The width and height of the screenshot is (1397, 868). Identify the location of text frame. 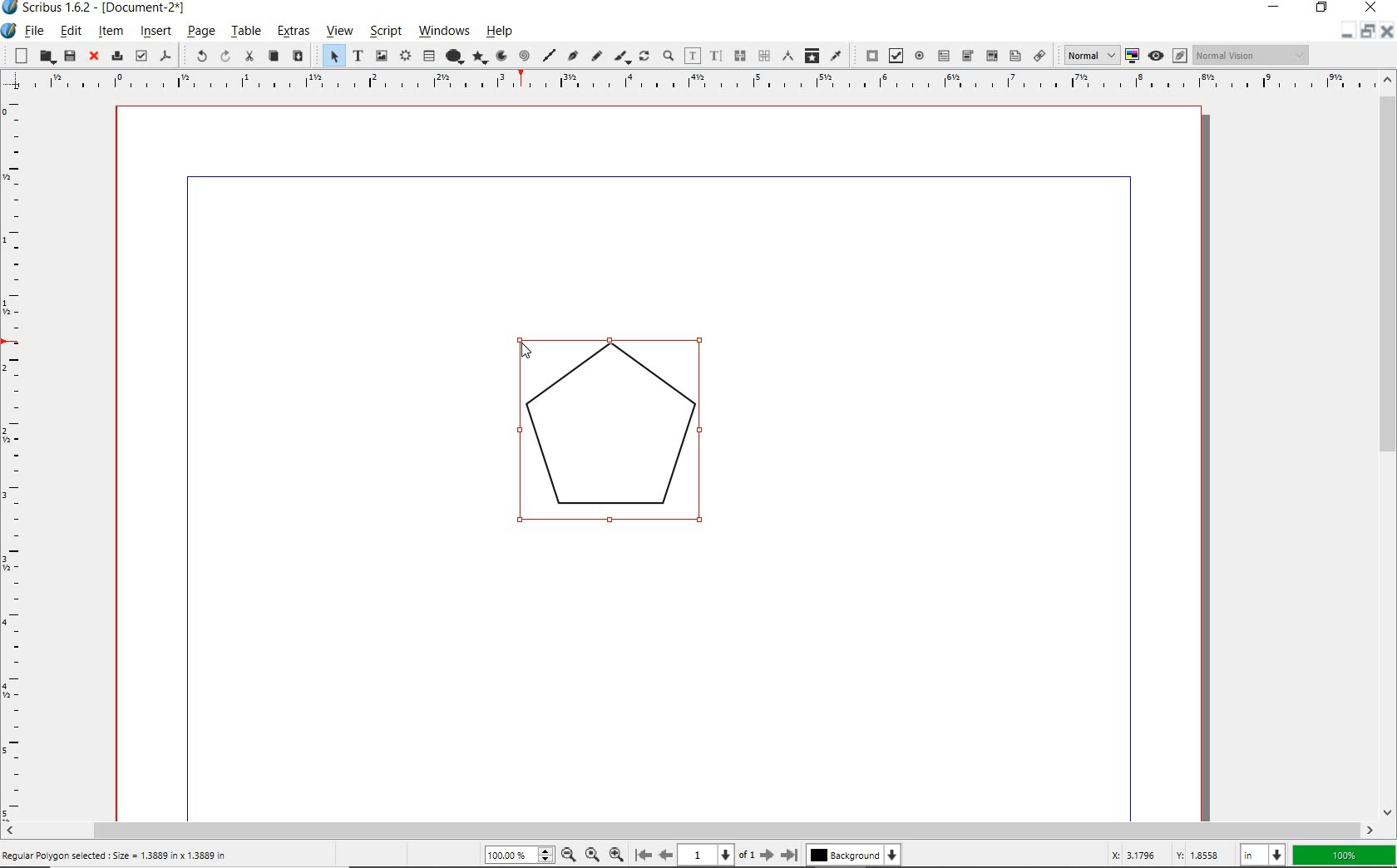
(358, 57).